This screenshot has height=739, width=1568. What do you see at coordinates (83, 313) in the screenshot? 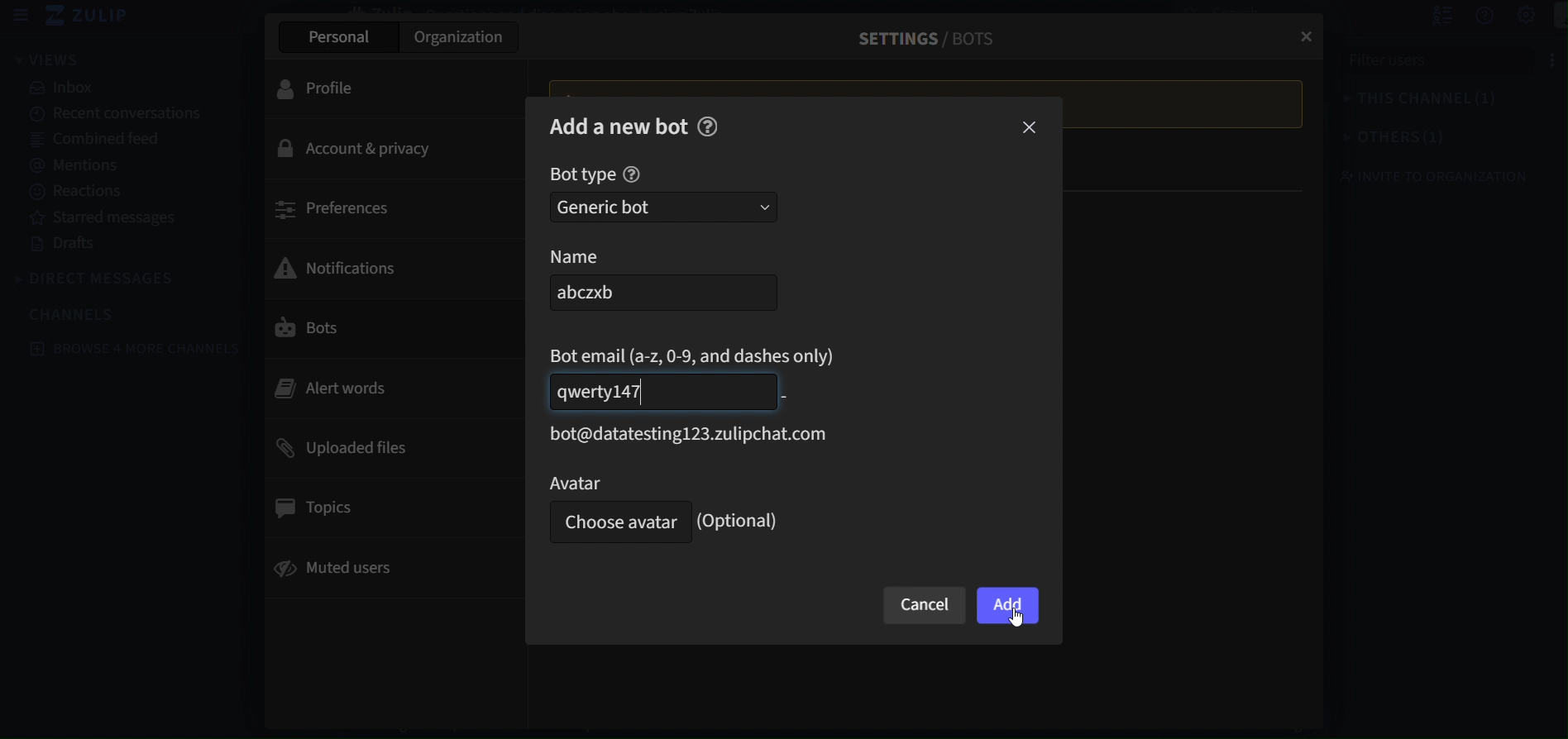
I see `channels` at bounding box center [83, 313].